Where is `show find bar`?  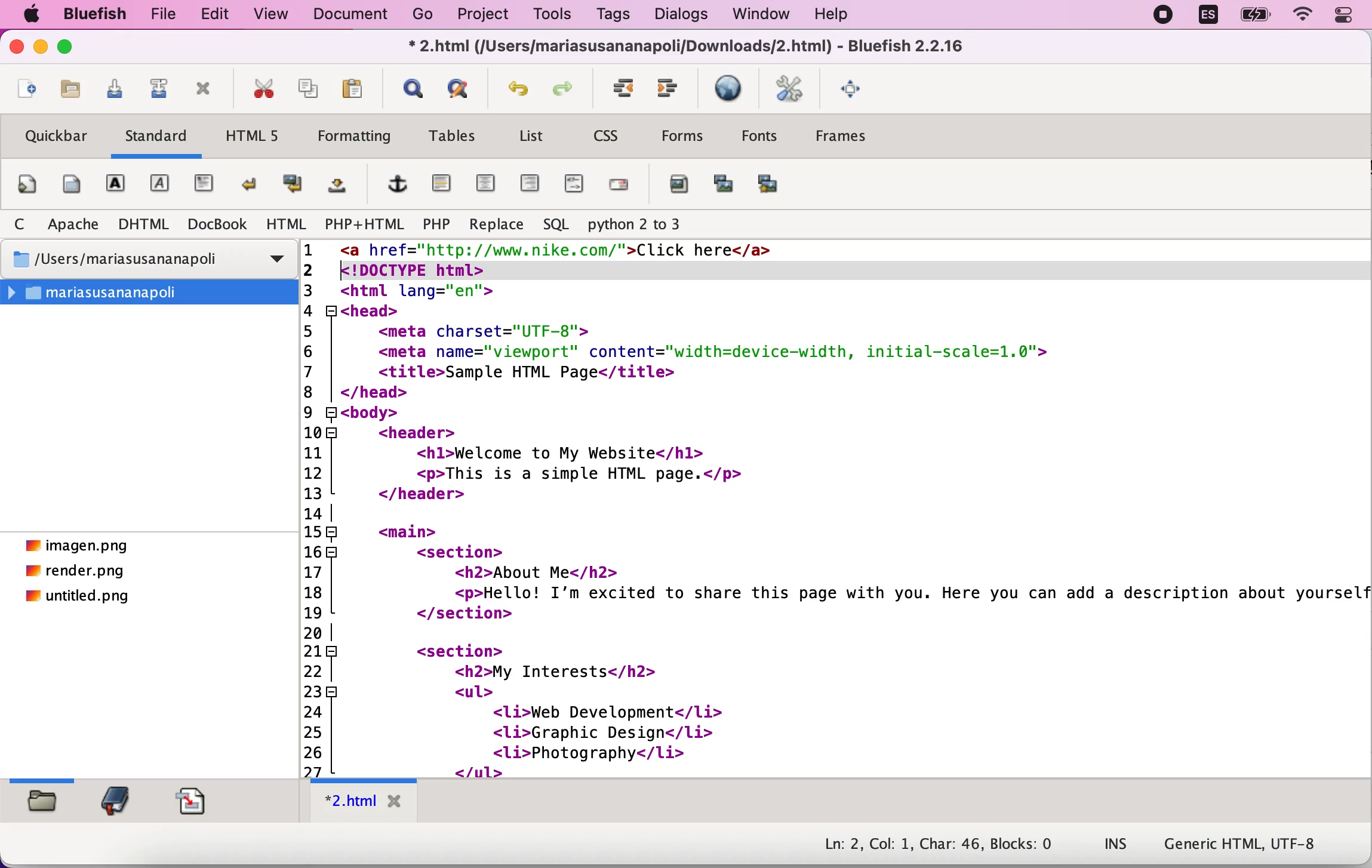
show find bar is located at coordinates (414, 90).